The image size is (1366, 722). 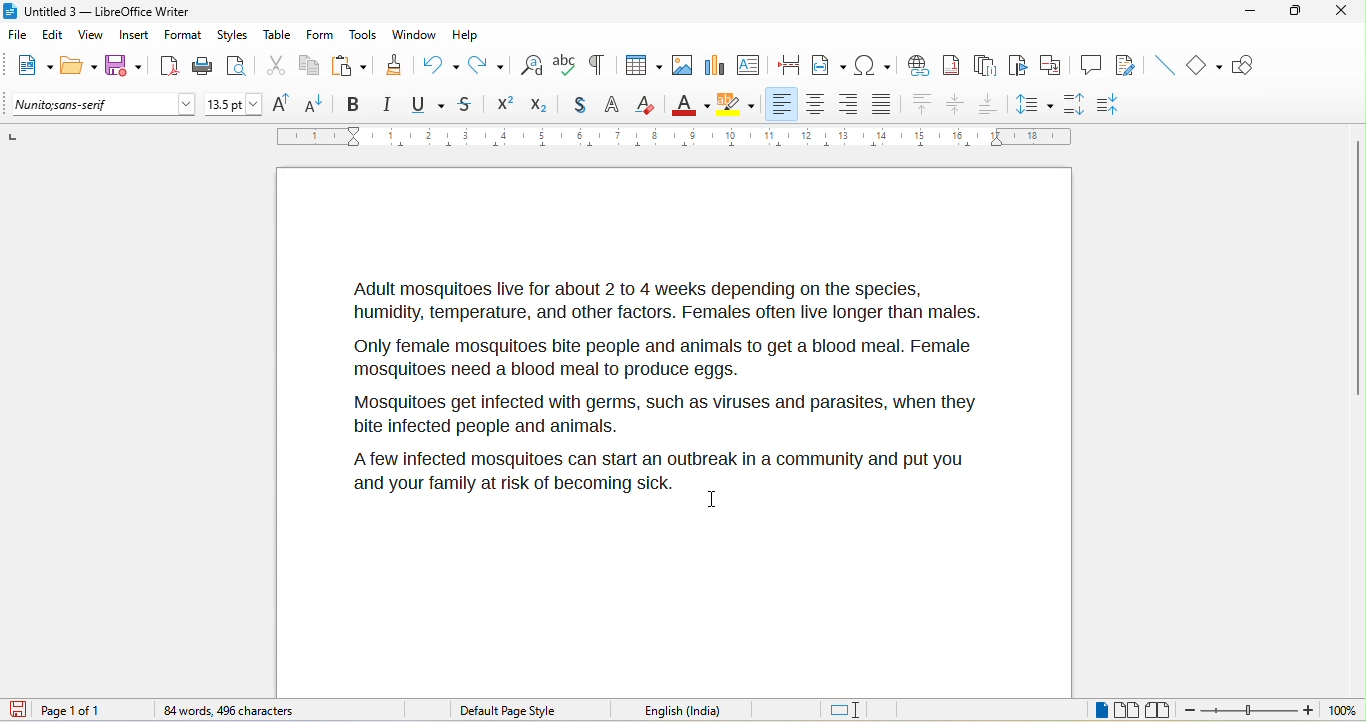 What do you see at coordinates (168, 65) in the screenshot?
I see `export directly as pdf` at bounding box center [168, 65].